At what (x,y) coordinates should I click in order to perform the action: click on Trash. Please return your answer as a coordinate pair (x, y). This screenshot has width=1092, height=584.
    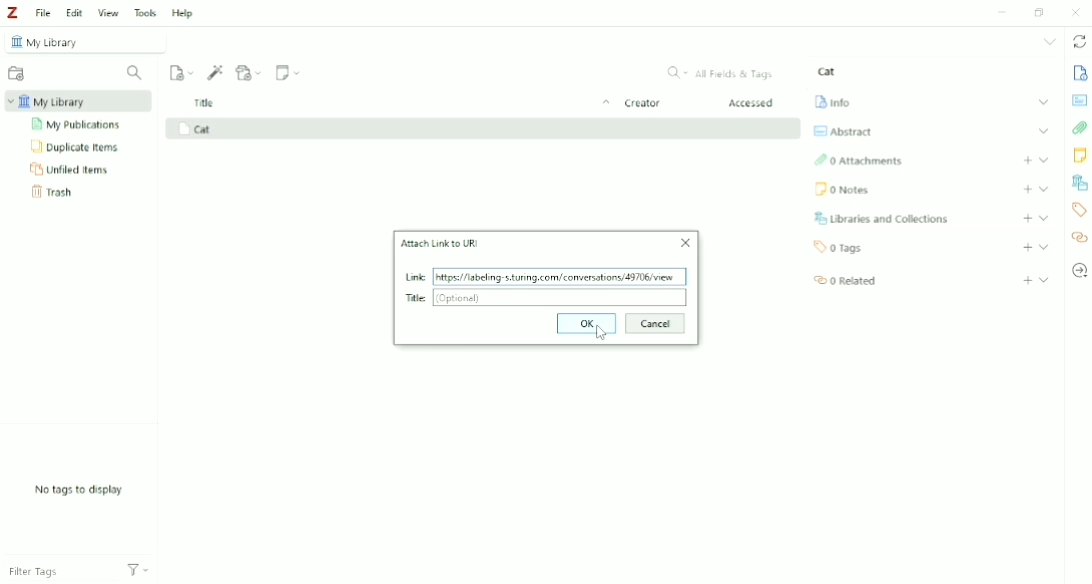
    Looking at the image, I should click on (56, 192).